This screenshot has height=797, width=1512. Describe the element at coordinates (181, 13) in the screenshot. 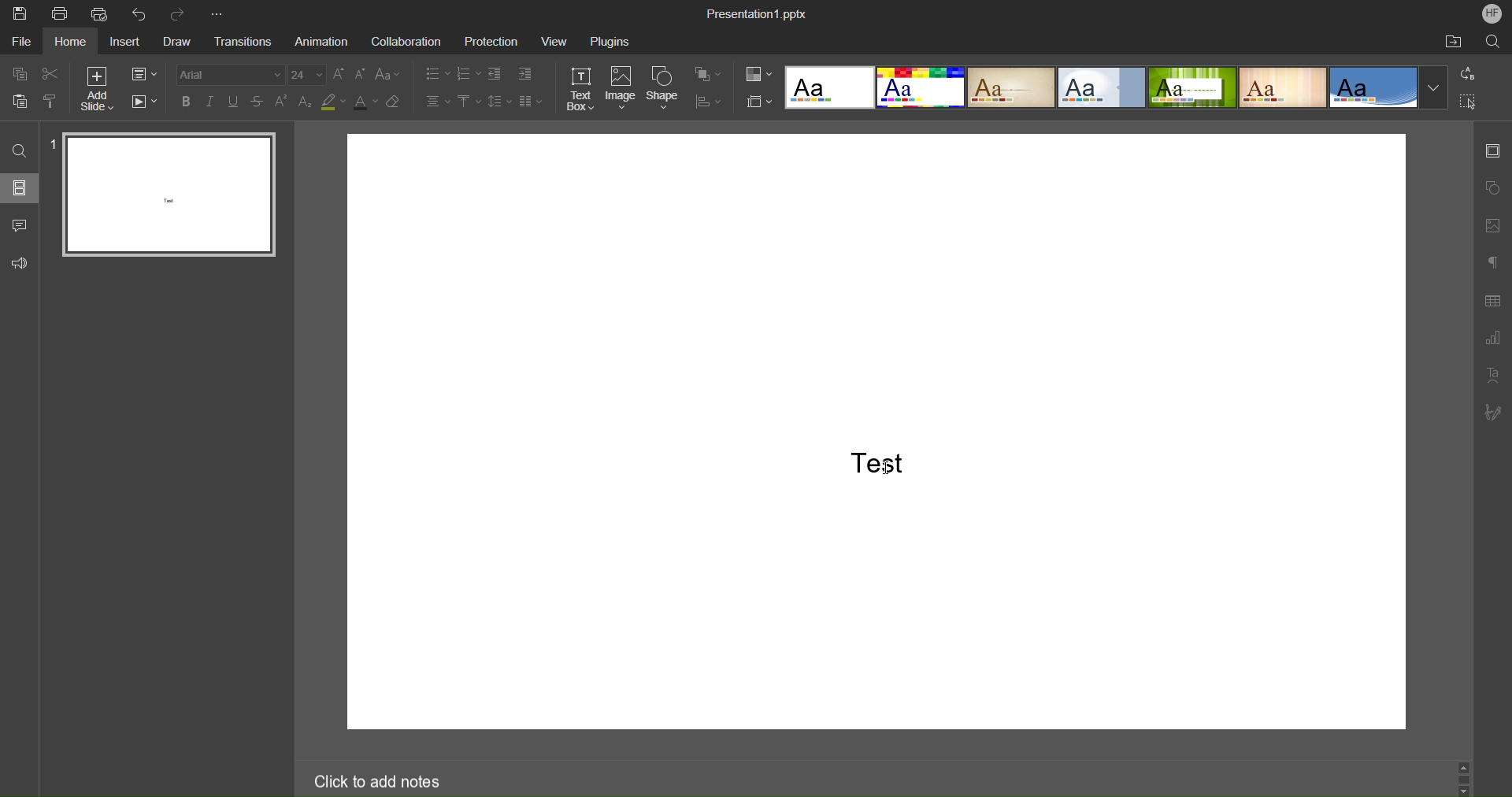

I see `Redo` at that location.